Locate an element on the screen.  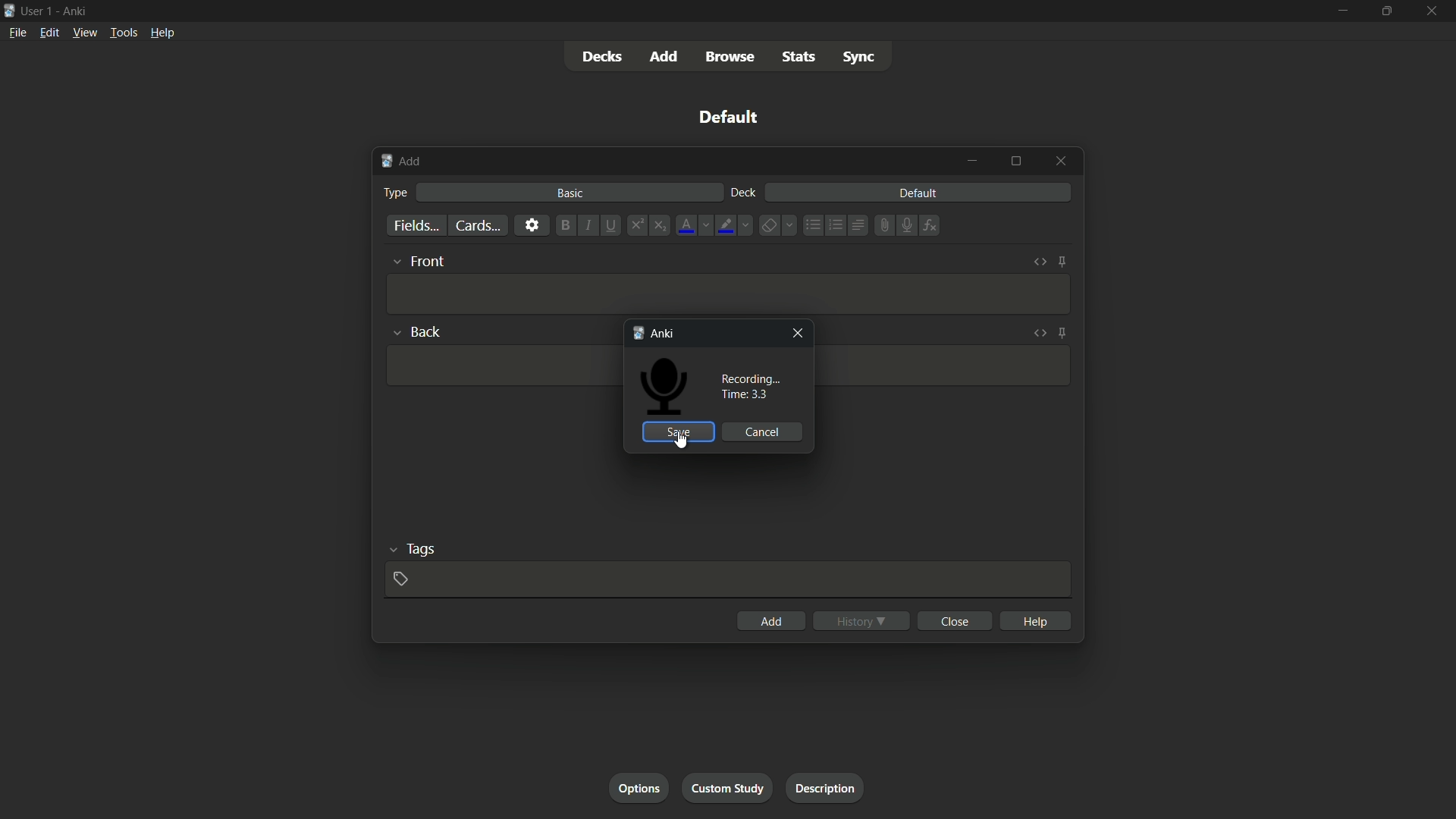
deck is located at coordinates (742, 193).